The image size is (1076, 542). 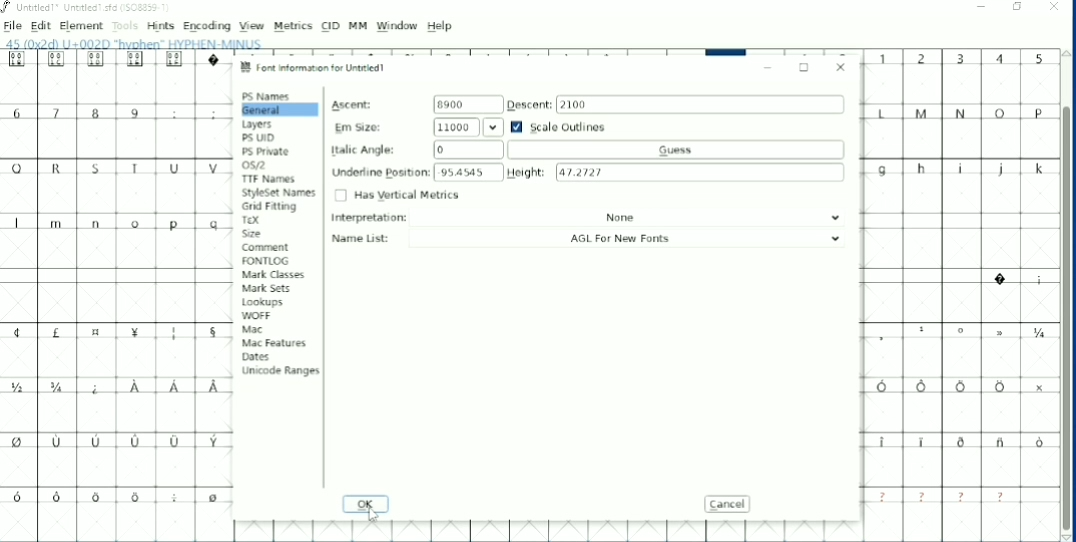 I want to click on Letter info, so click(x=141, y=43).